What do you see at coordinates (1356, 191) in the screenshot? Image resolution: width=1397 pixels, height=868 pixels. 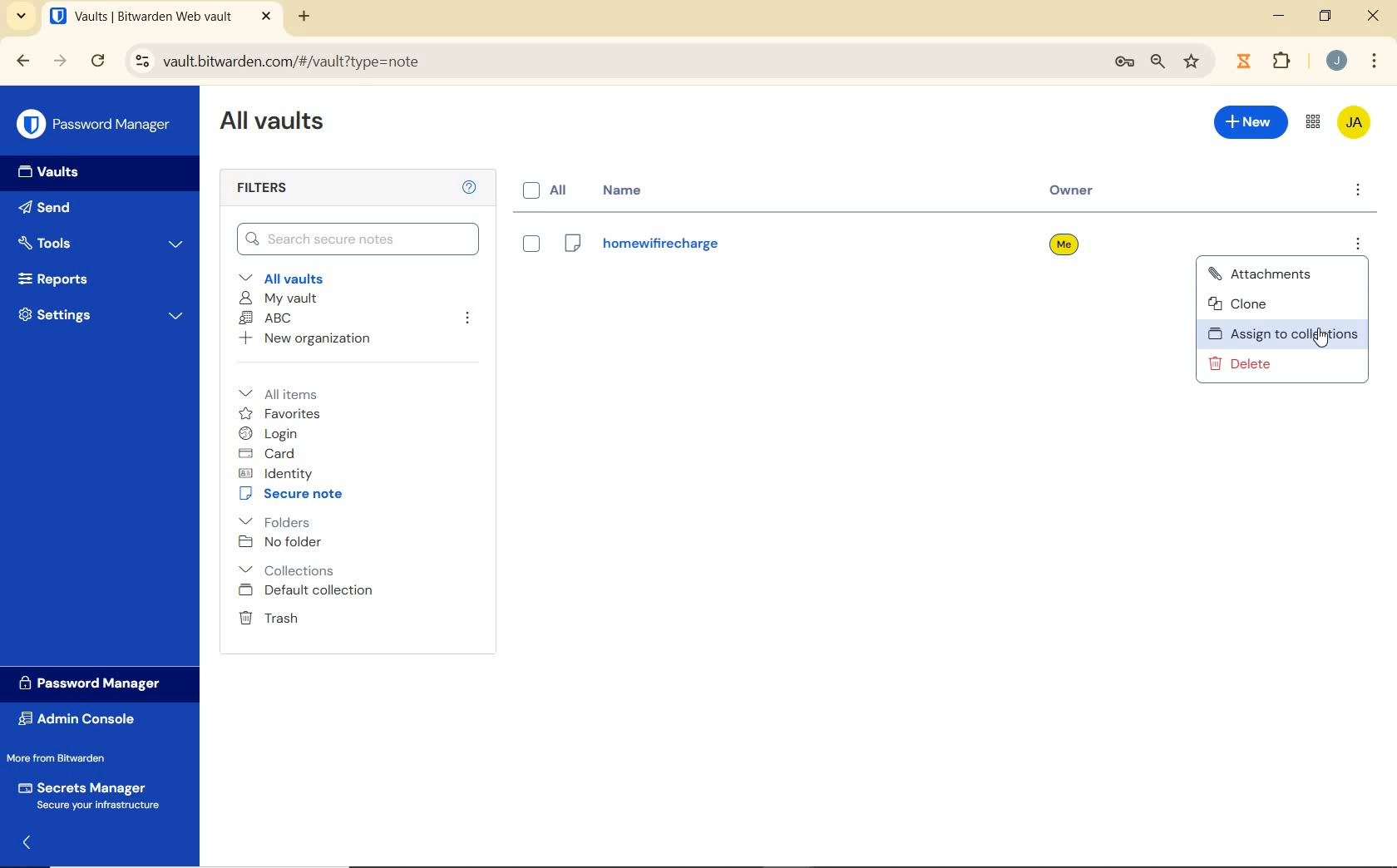 I see `more options` at bounding box center [1356, 191].